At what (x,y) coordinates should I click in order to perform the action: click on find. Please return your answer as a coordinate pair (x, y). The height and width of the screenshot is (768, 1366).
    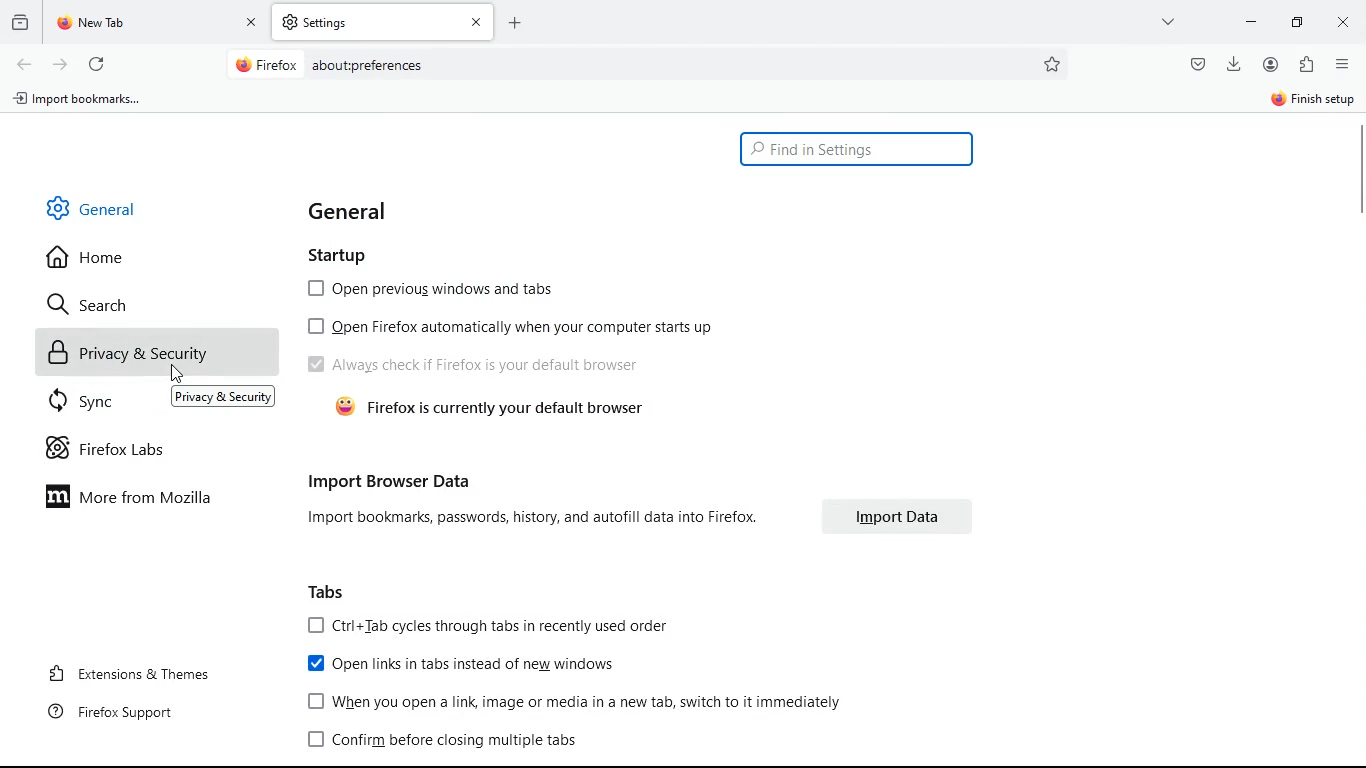
    Looking at the image, I should click on (856, 150).